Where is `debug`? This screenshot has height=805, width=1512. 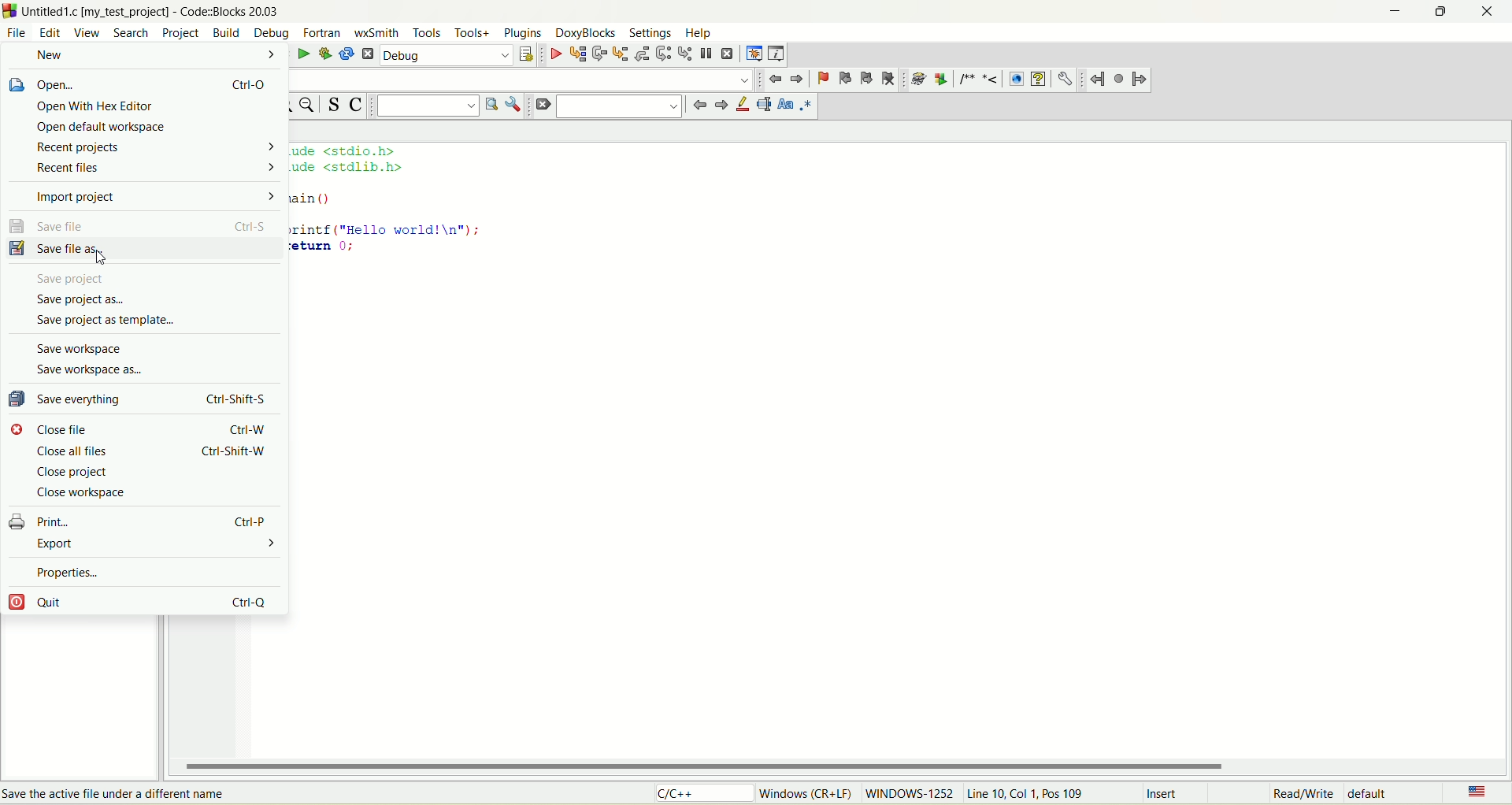 debug is located at coordinates (273, 33).